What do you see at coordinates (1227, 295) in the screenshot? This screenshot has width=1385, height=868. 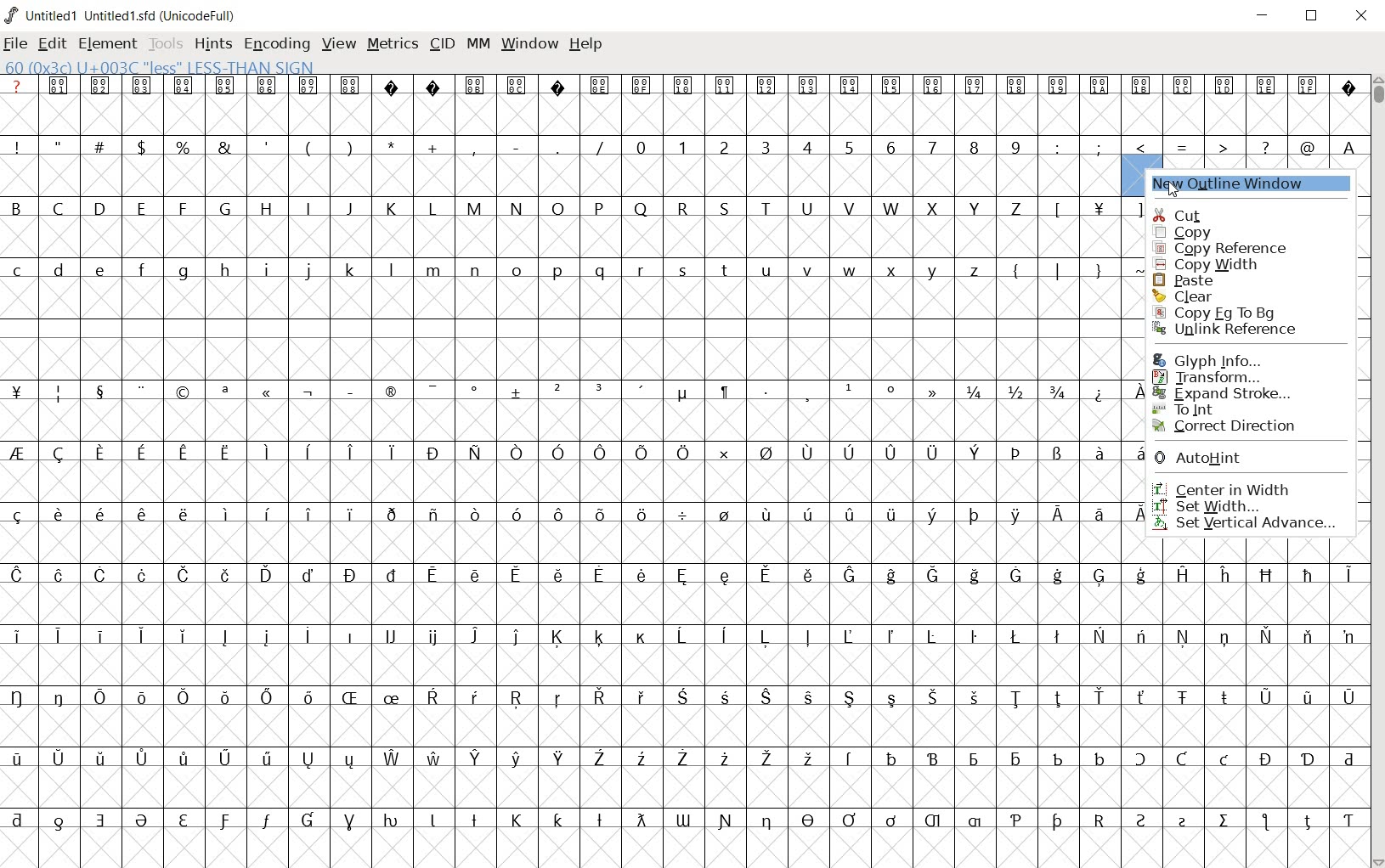 I see `clear` at bounding box center [1227, 295].